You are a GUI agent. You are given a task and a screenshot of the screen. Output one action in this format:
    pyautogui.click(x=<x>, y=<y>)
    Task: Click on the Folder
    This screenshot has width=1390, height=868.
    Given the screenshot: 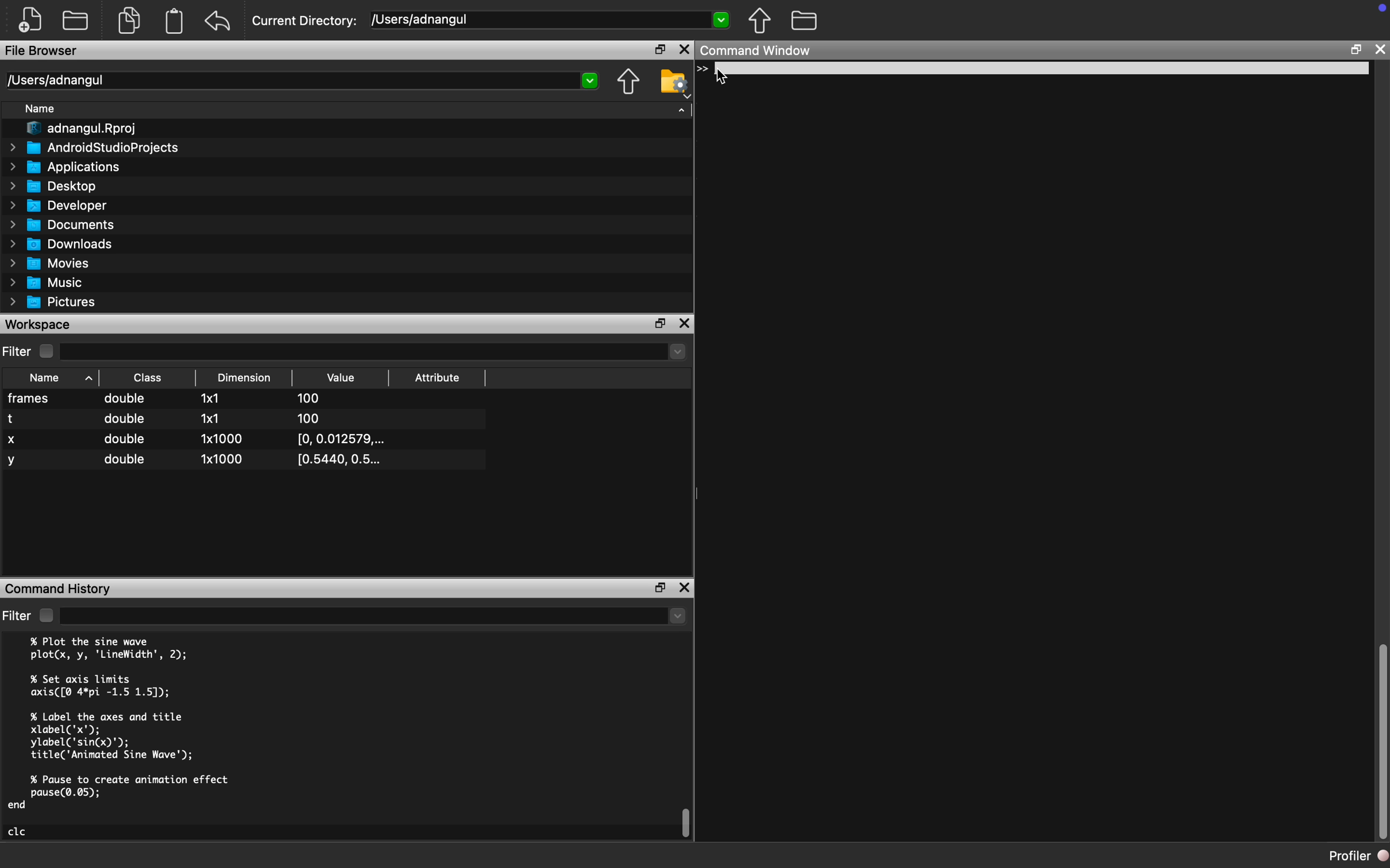 What is the action you would take?
    pyautogui.click(x=804, y=21)
    